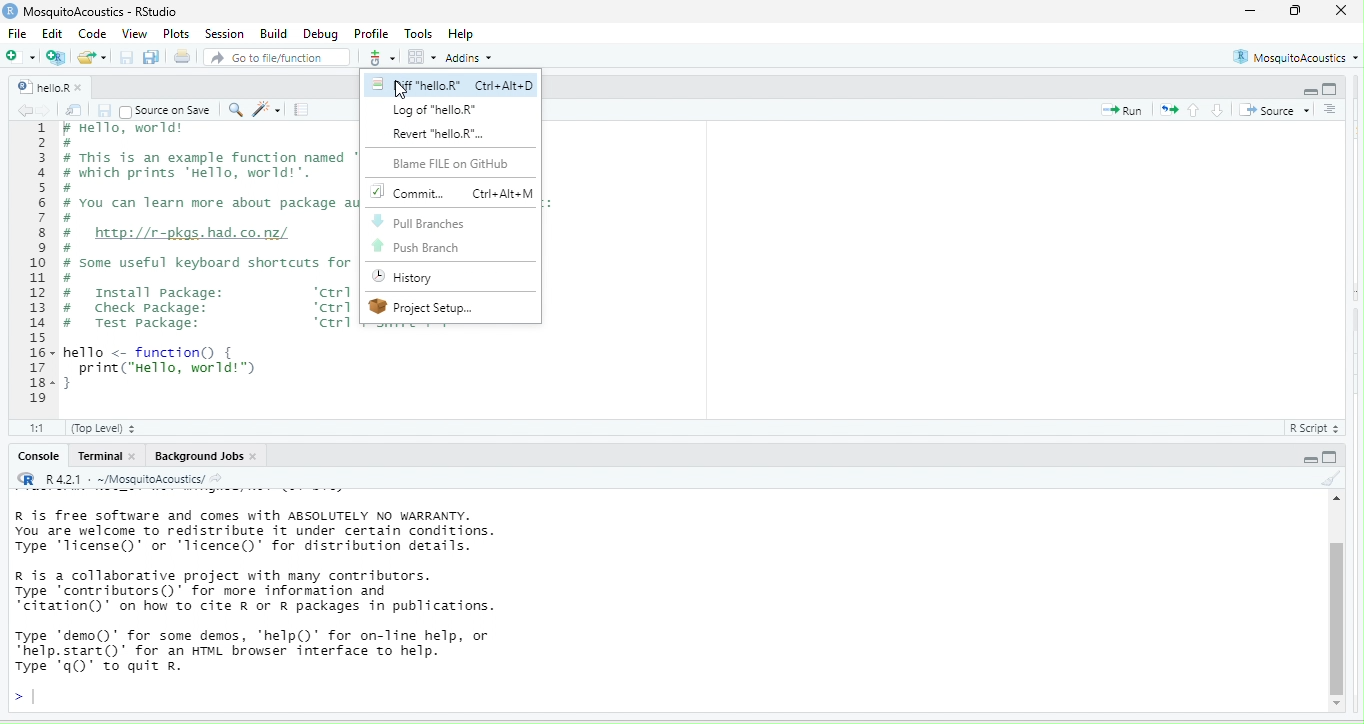 This screenshot has height=724, width=1364. What do you see at coordinates (1170, 110) in the screenshot?
I see `re run the previous code` at bounding box center [1170, 110].